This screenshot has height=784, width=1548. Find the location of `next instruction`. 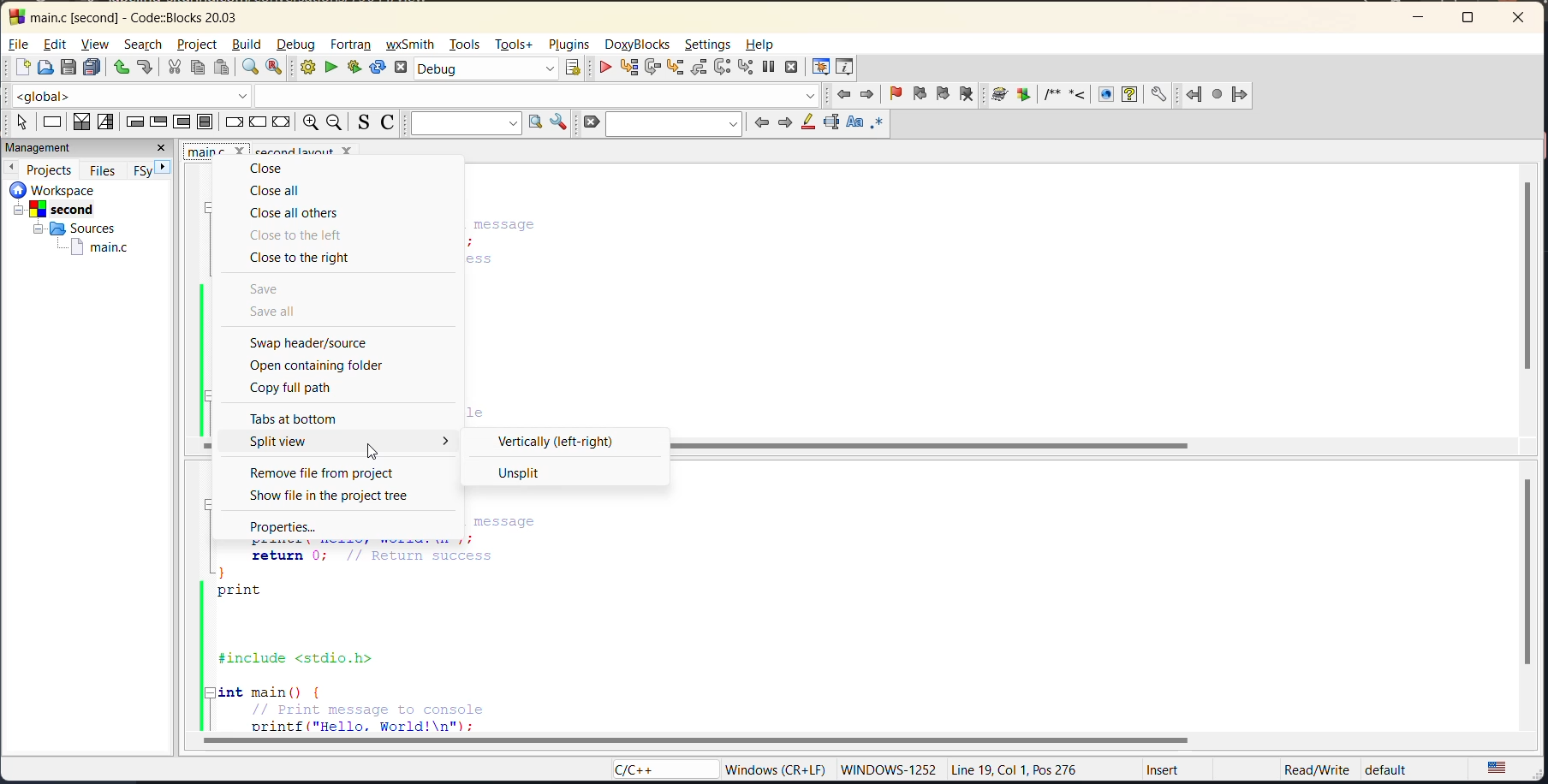

next instruction is located at coordinates (723, 68).